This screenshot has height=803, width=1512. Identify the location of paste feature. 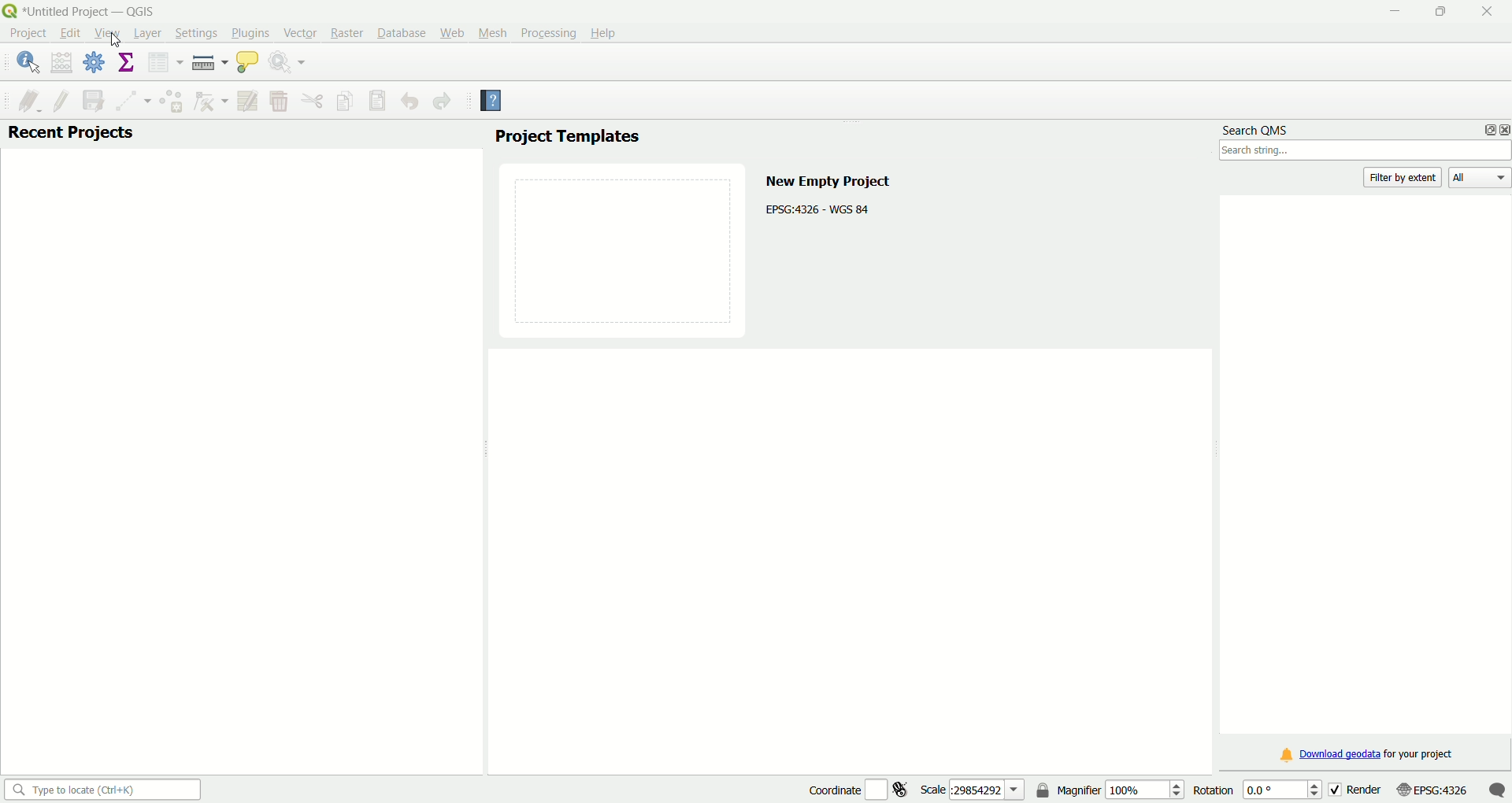
(378, 101).